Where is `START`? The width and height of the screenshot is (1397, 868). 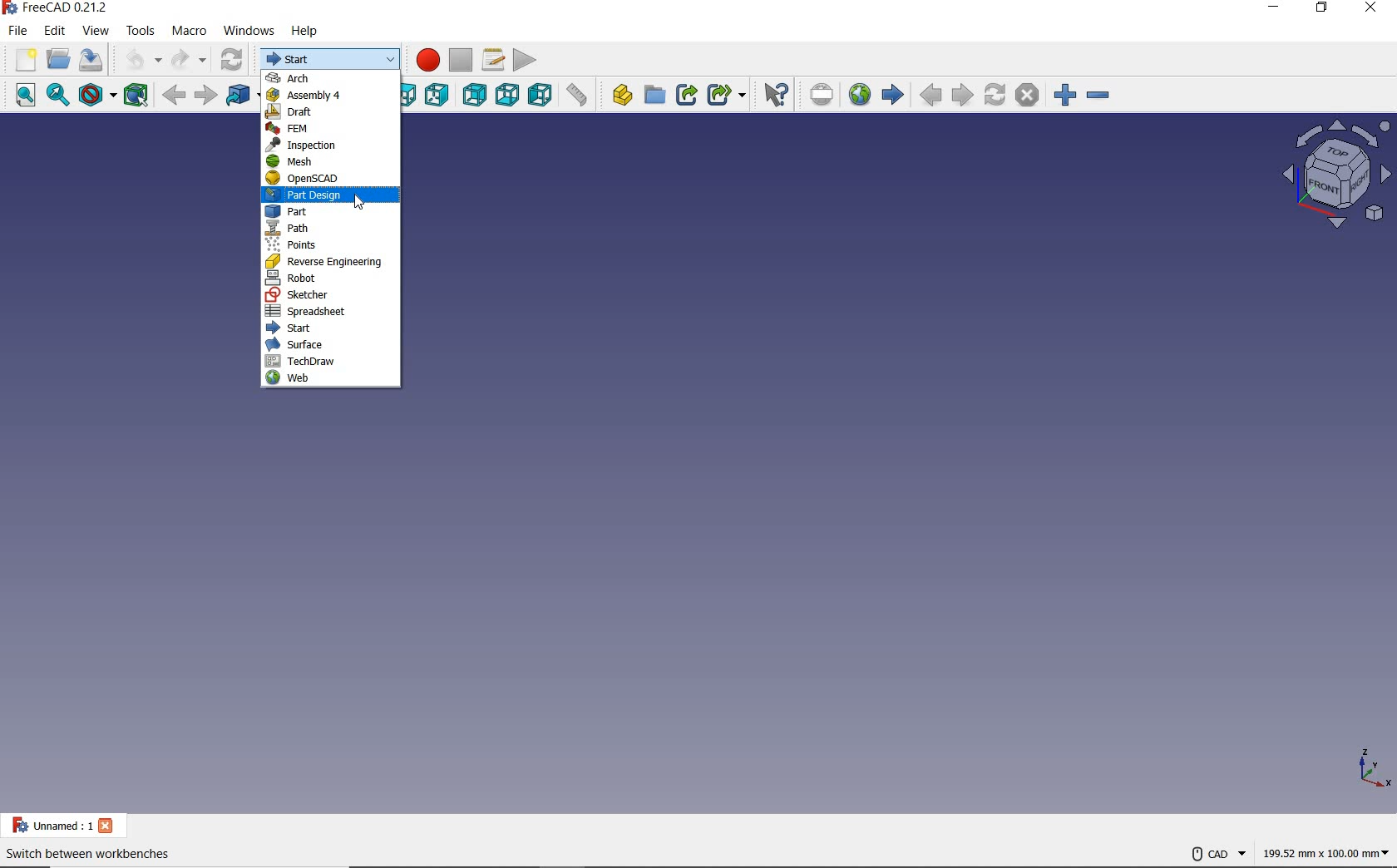 START is located at coordinates (331, 58).